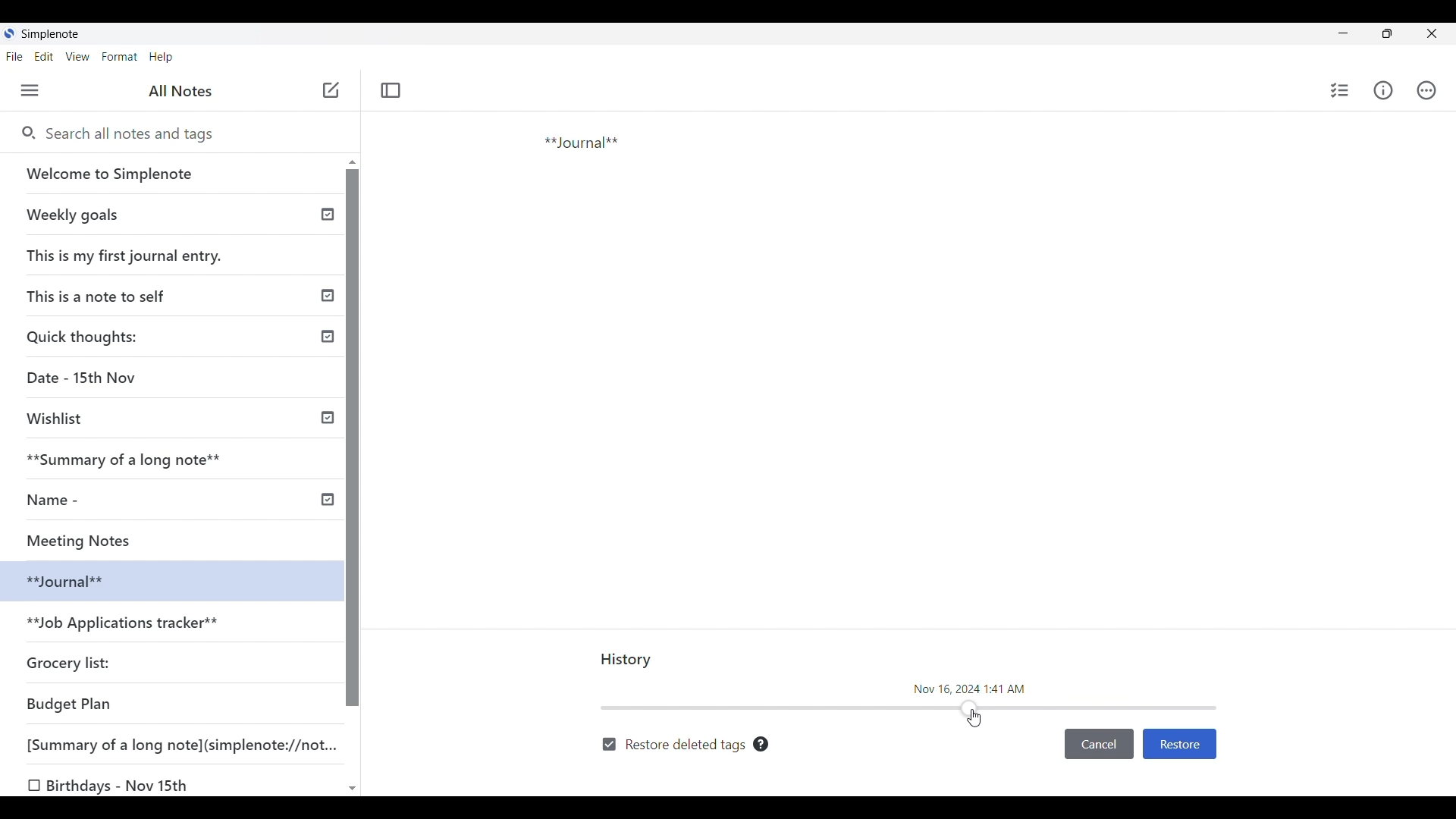 The height and width of the screenshot is (819, 1456). Describe the element at coordinates (134, 459) in the screenshot. I see `**Summary of a long note**` at that location.